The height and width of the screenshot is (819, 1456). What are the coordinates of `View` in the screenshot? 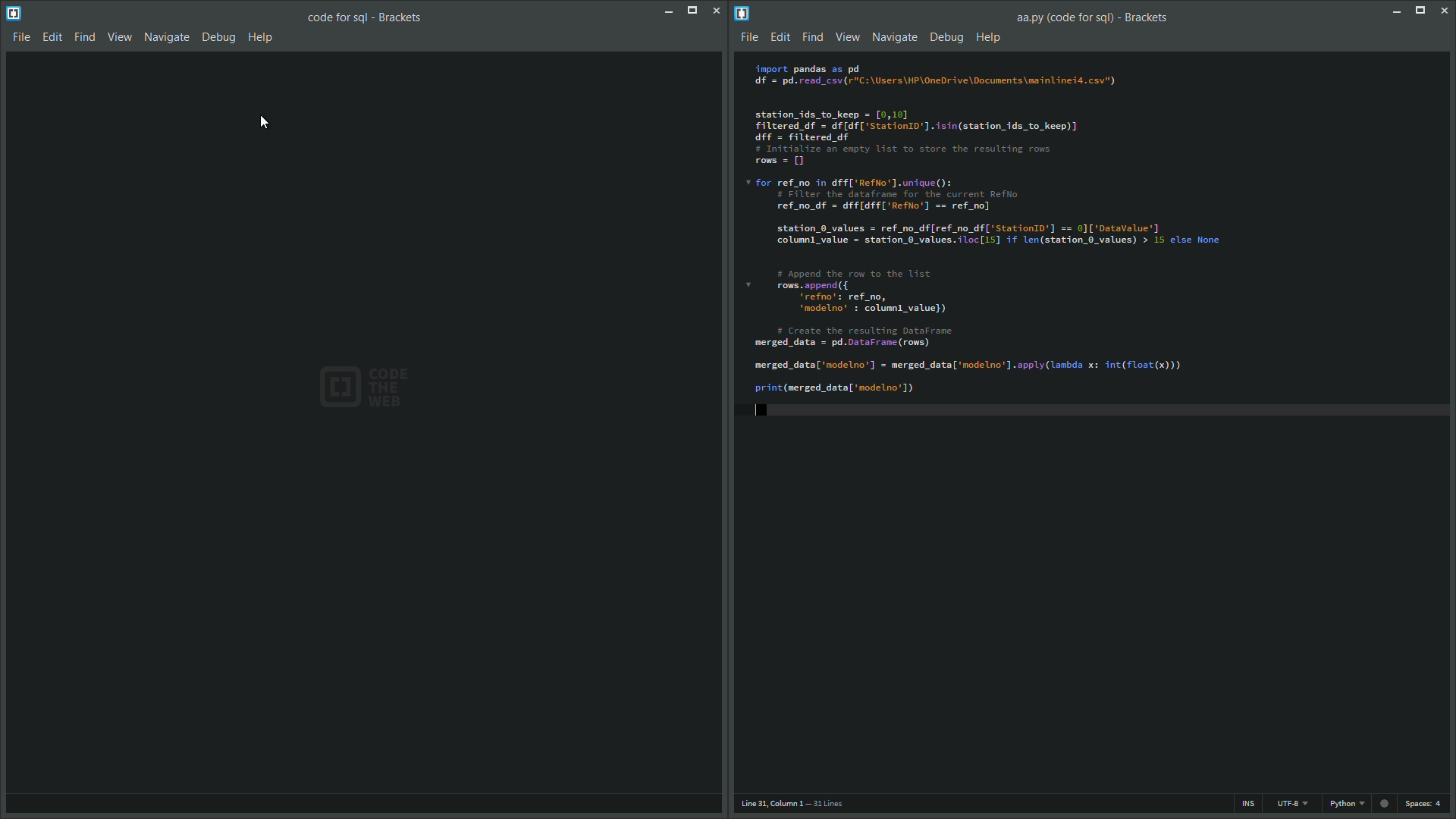 It's located at (121, 37).